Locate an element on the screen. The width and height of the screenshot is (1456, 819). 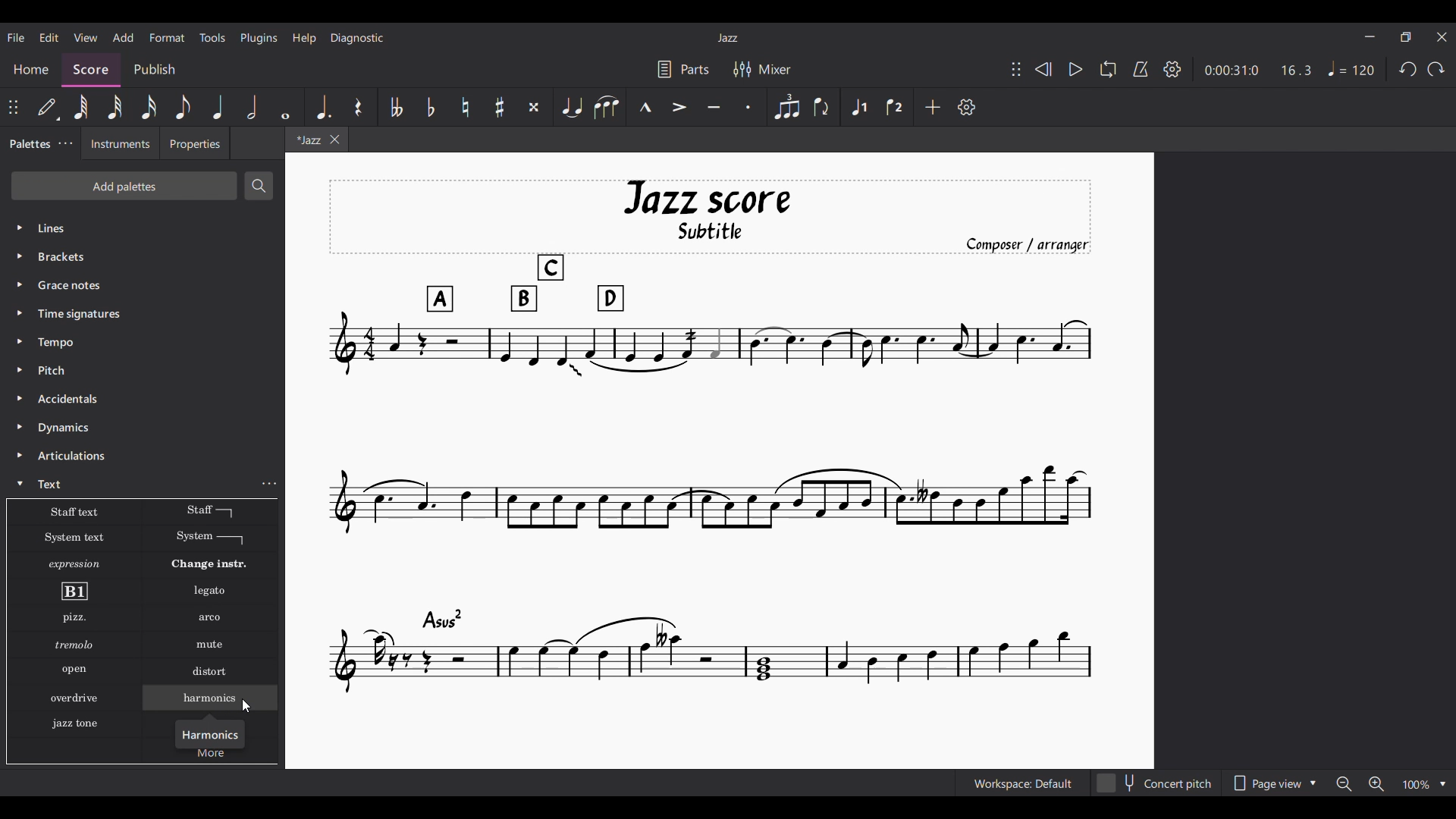
Settings is located at coordinates (967, 107).